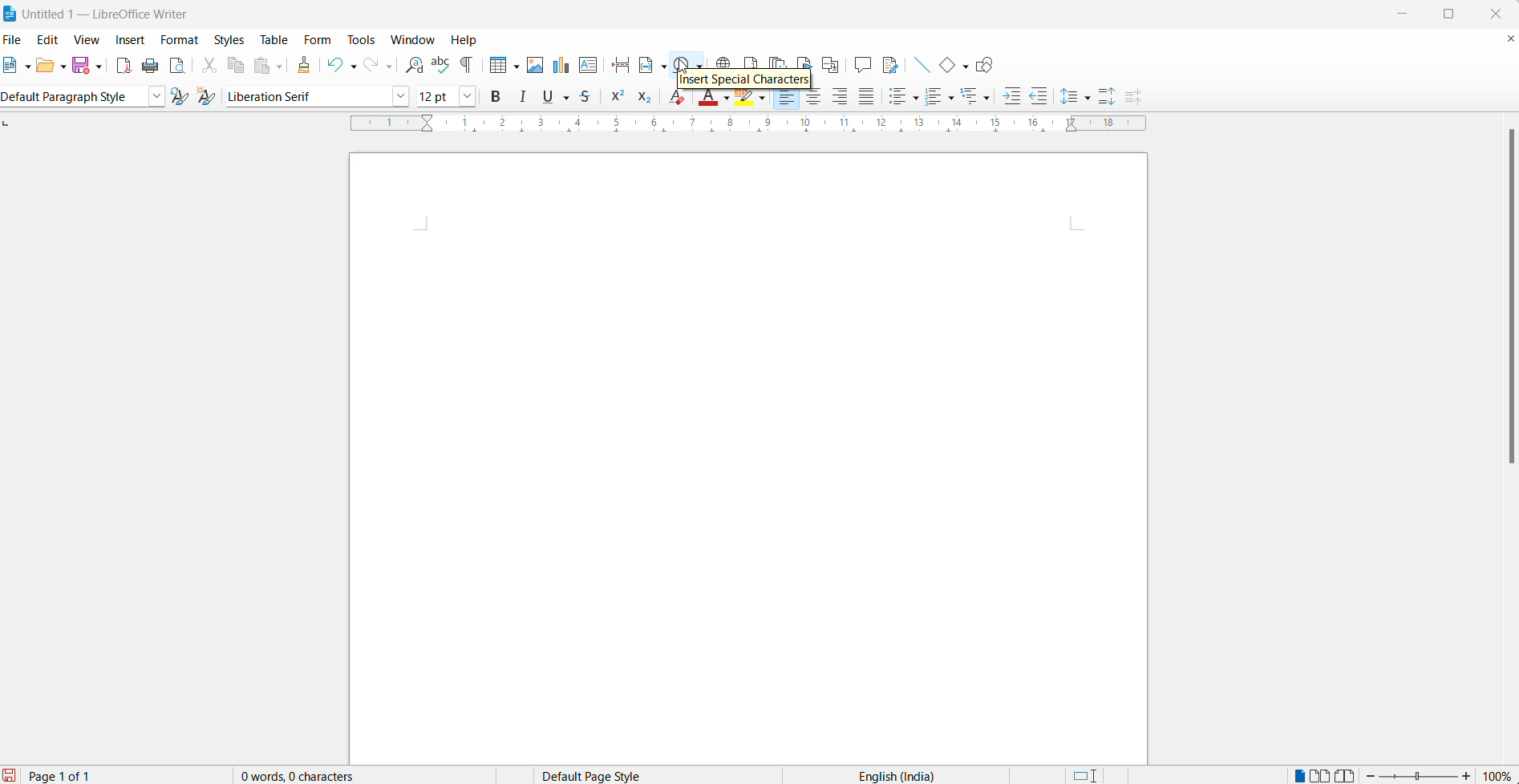  Describe the element at coordinates (130, 38) in the screenshot. I see `insert` at that location.